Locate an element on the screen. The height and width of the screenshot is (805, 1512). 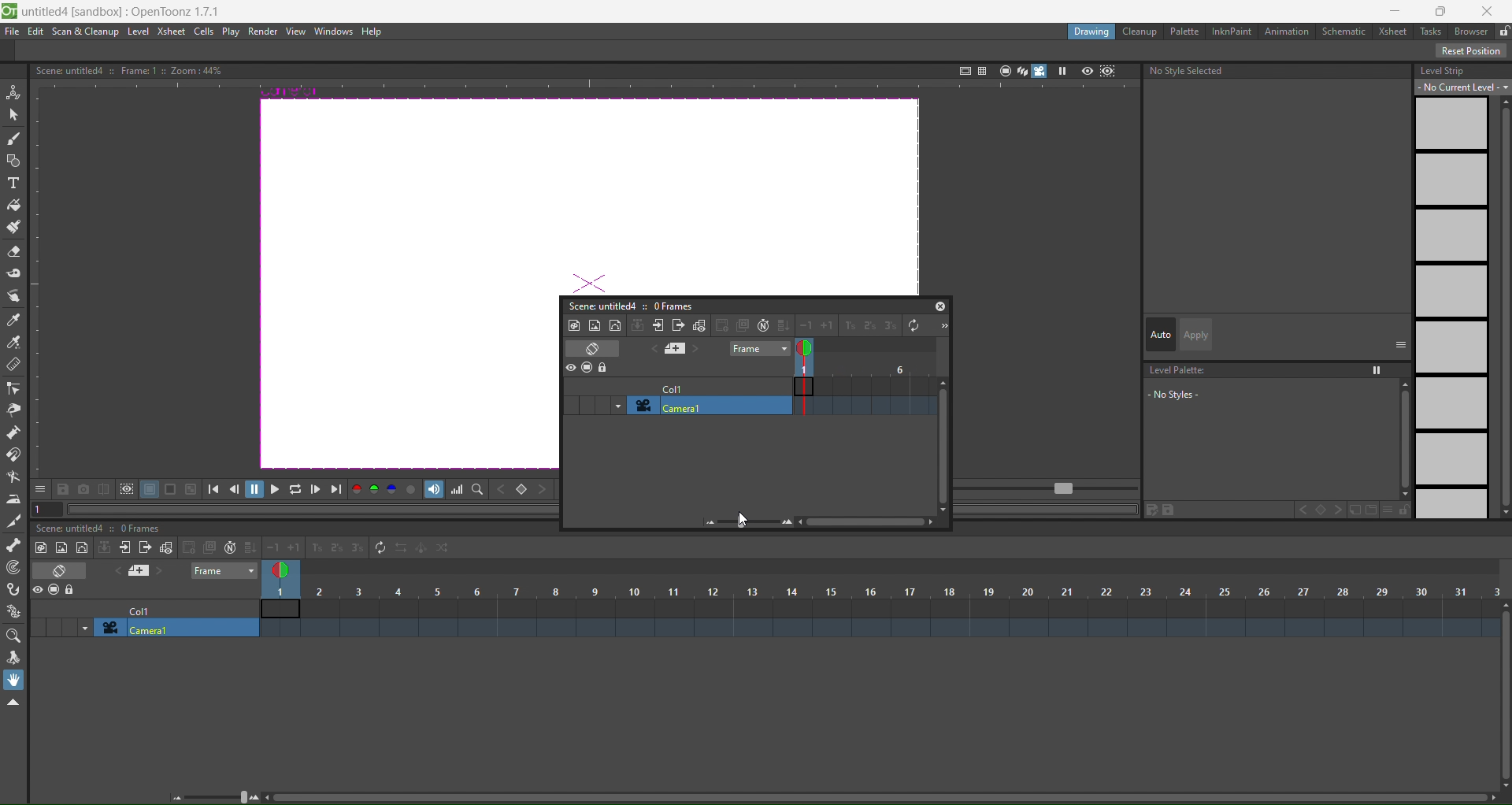
new vector level is located at coordinates (615, 325).